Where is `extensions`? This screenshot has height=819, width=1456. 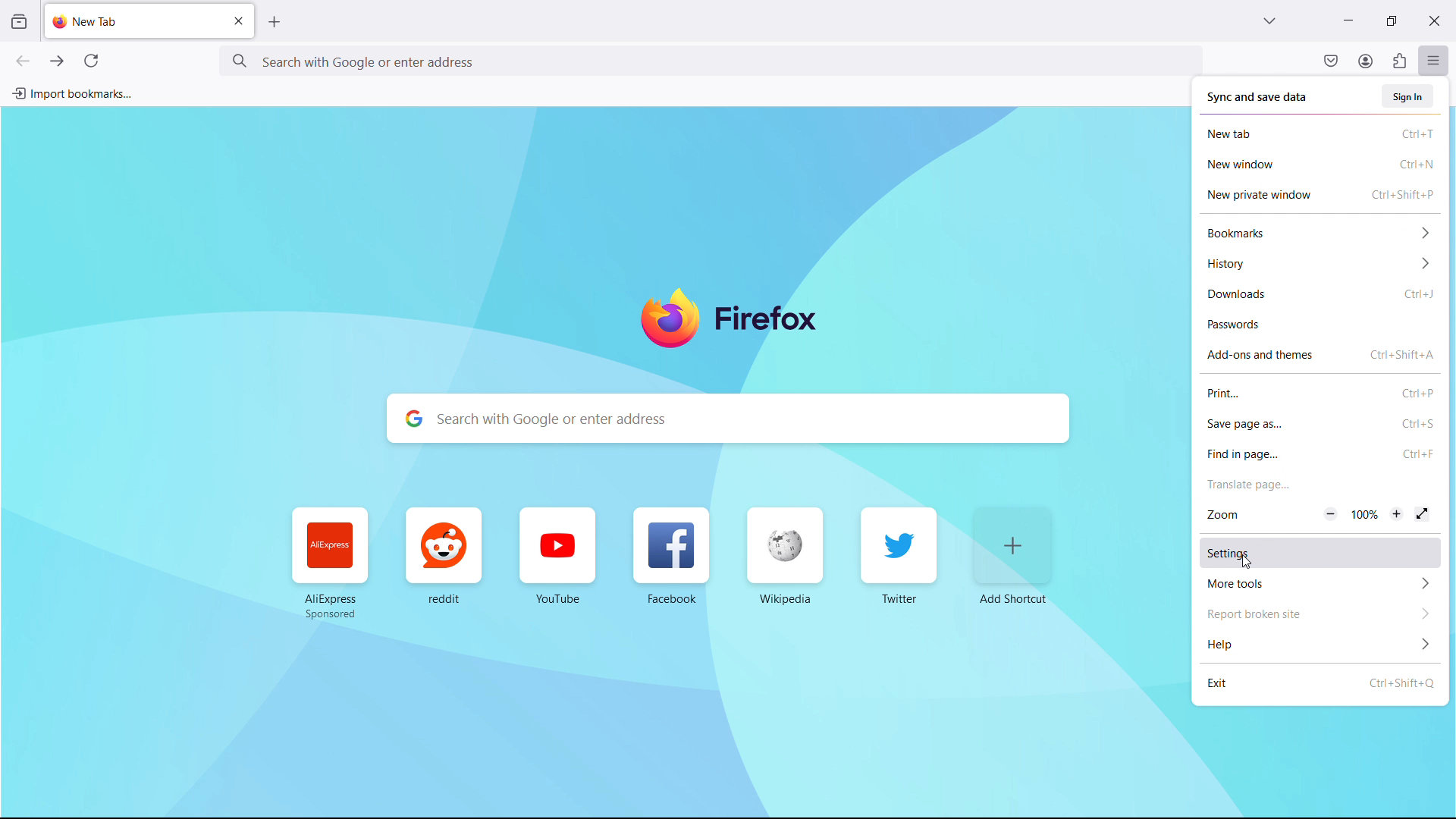
extensions is located at coordinates (1398, 61).